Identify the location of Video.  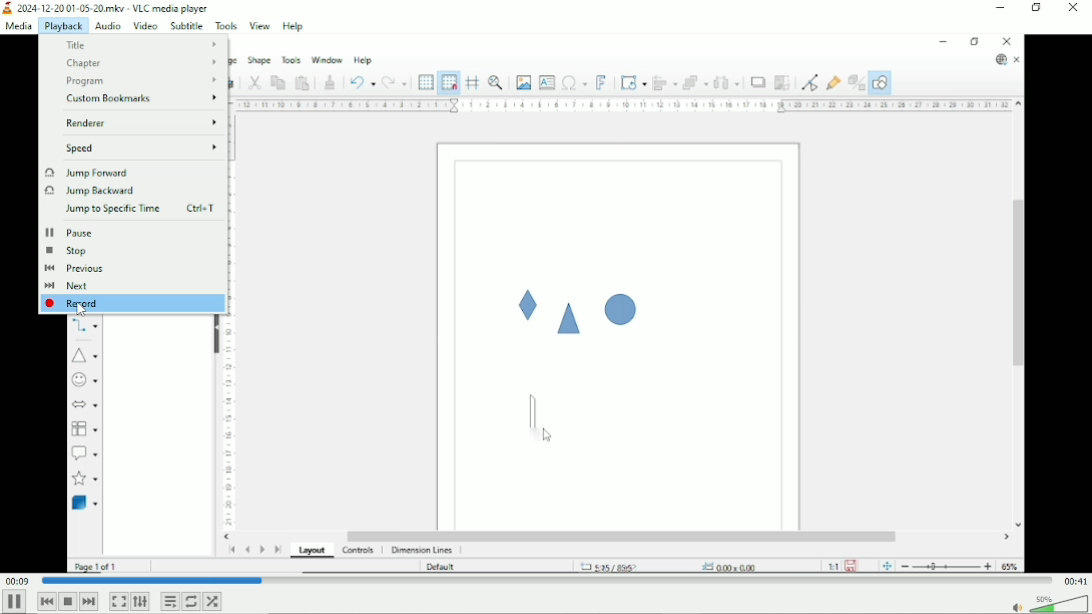
(630, 304).